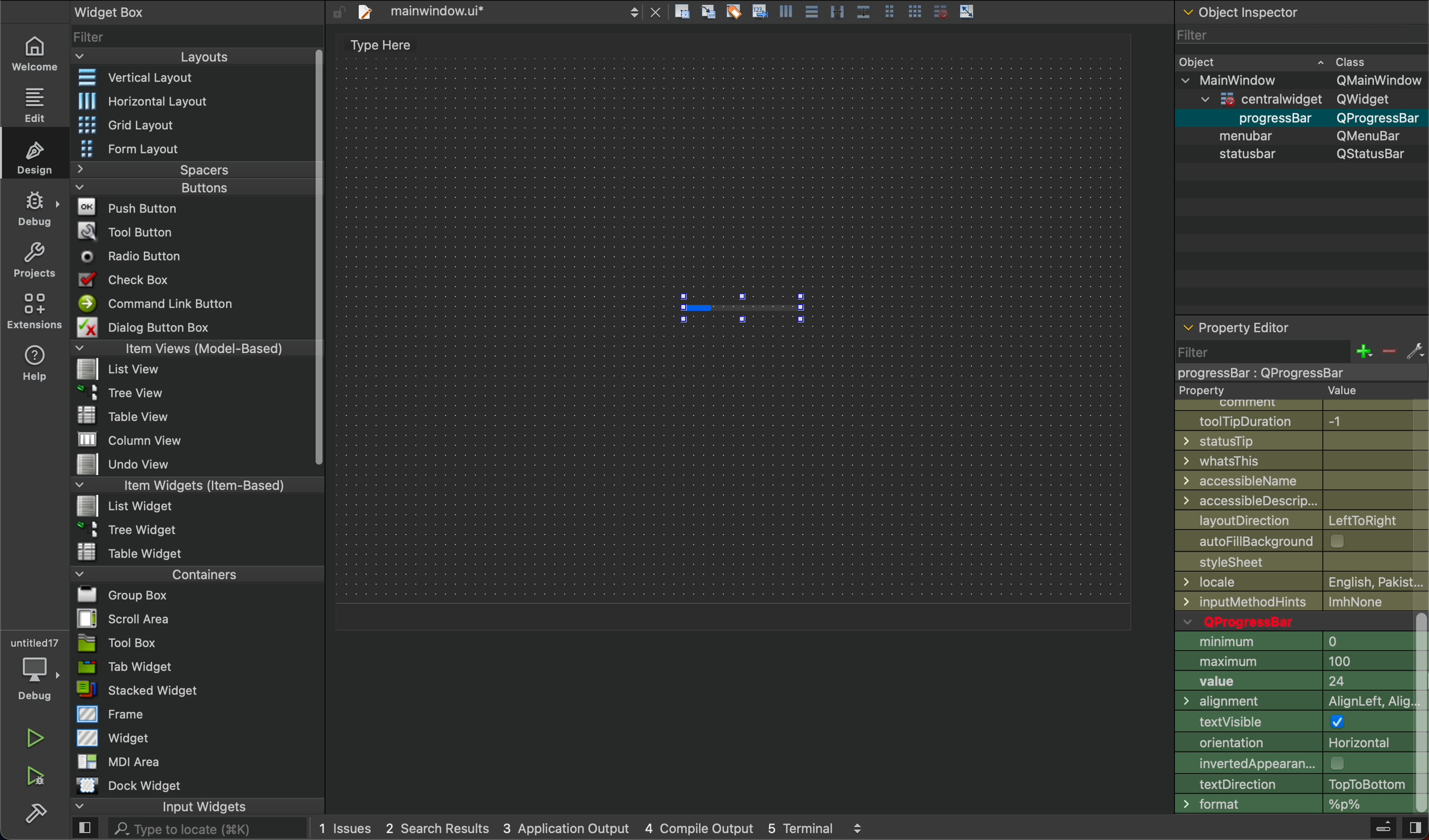 The image size is (1429, 840). I want to click on Orientation , so click(1293, 745).